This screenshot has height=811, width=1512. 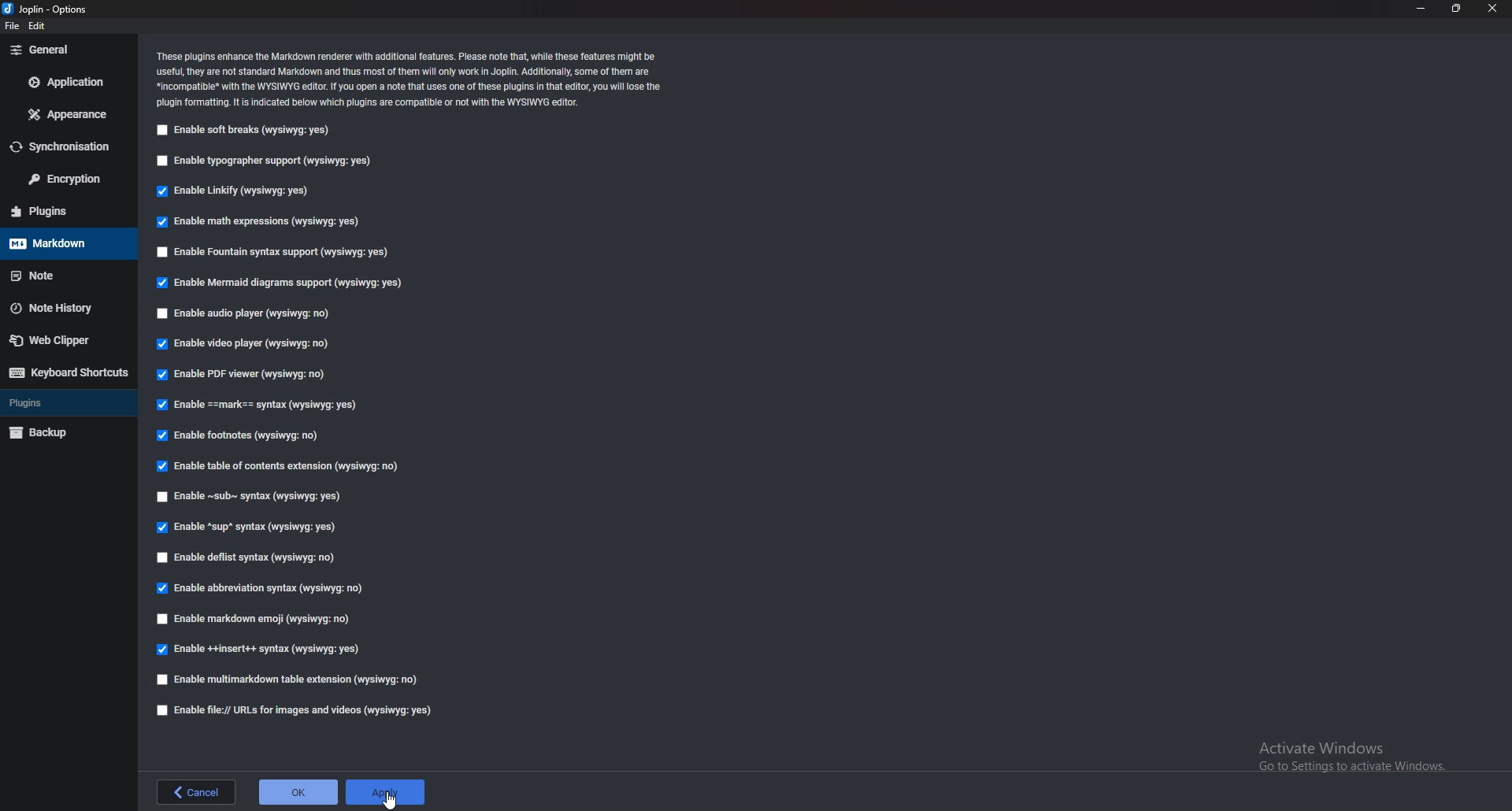 I want to click on Plugins, so click(x=66, y=401).